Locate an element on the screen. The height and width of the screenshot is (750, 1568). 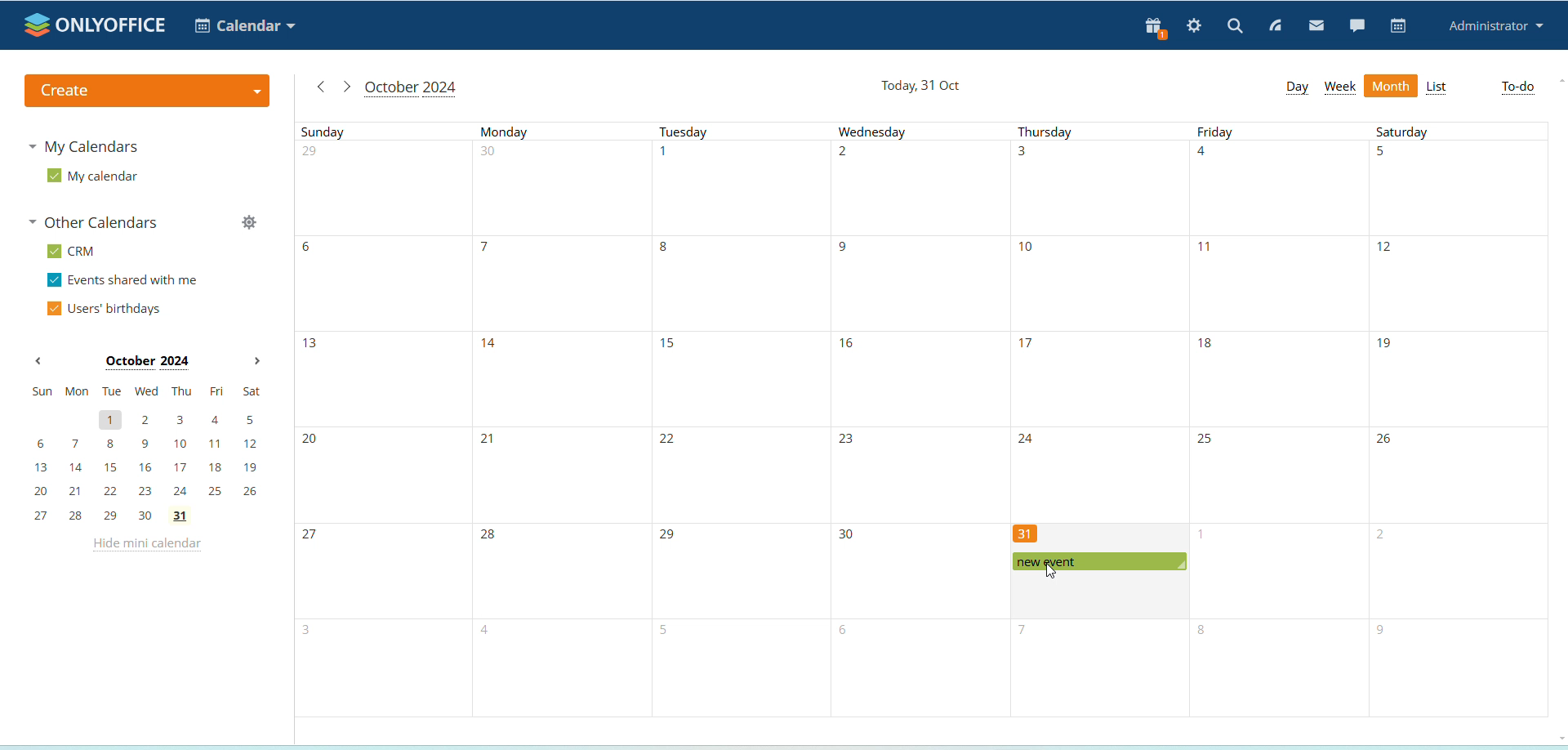
Friday is located at coordinates (1281, 421).